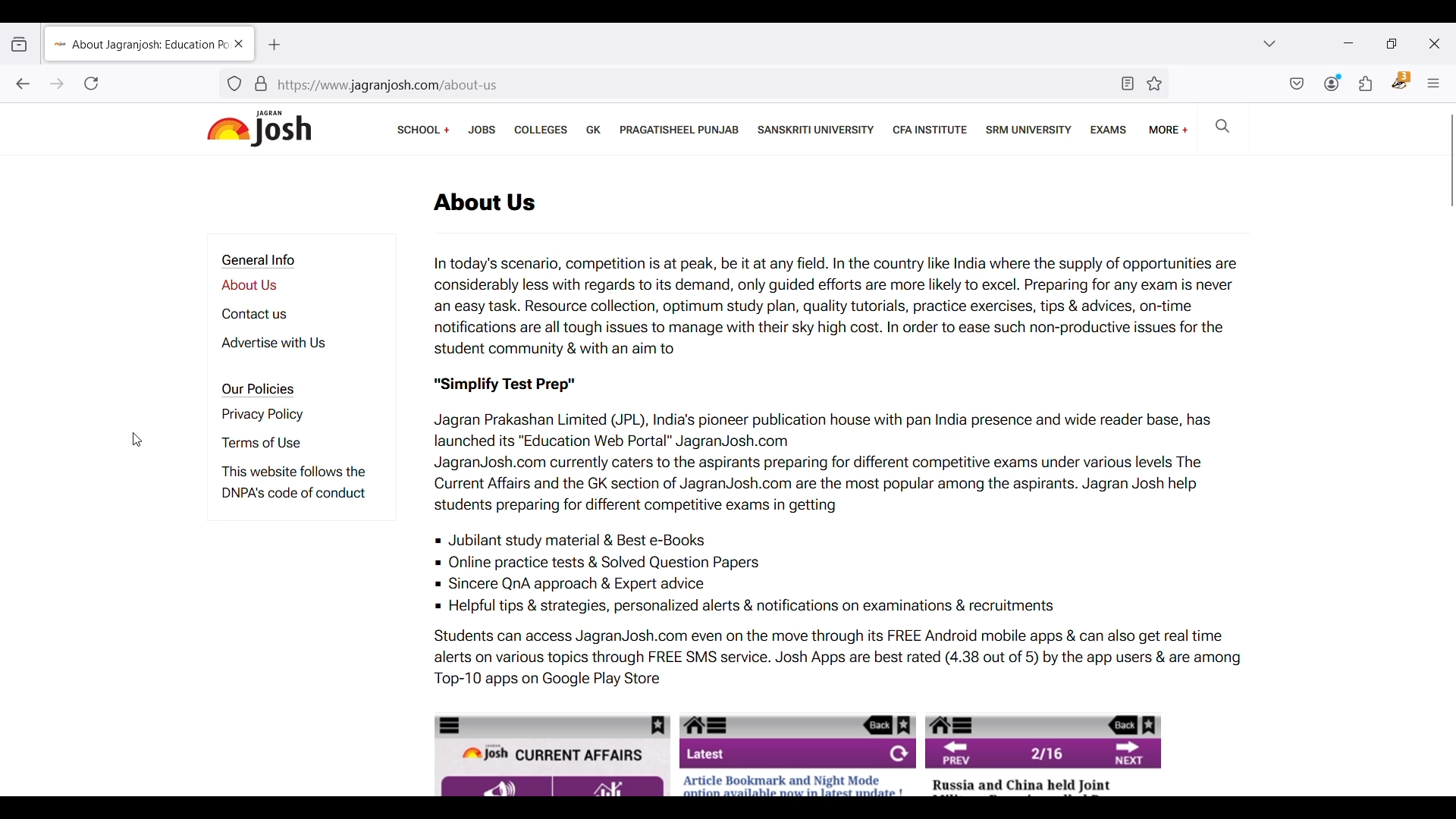  Describe the element at coordinates (236, 43) in the screenshot. I see `Close current page` at that location.